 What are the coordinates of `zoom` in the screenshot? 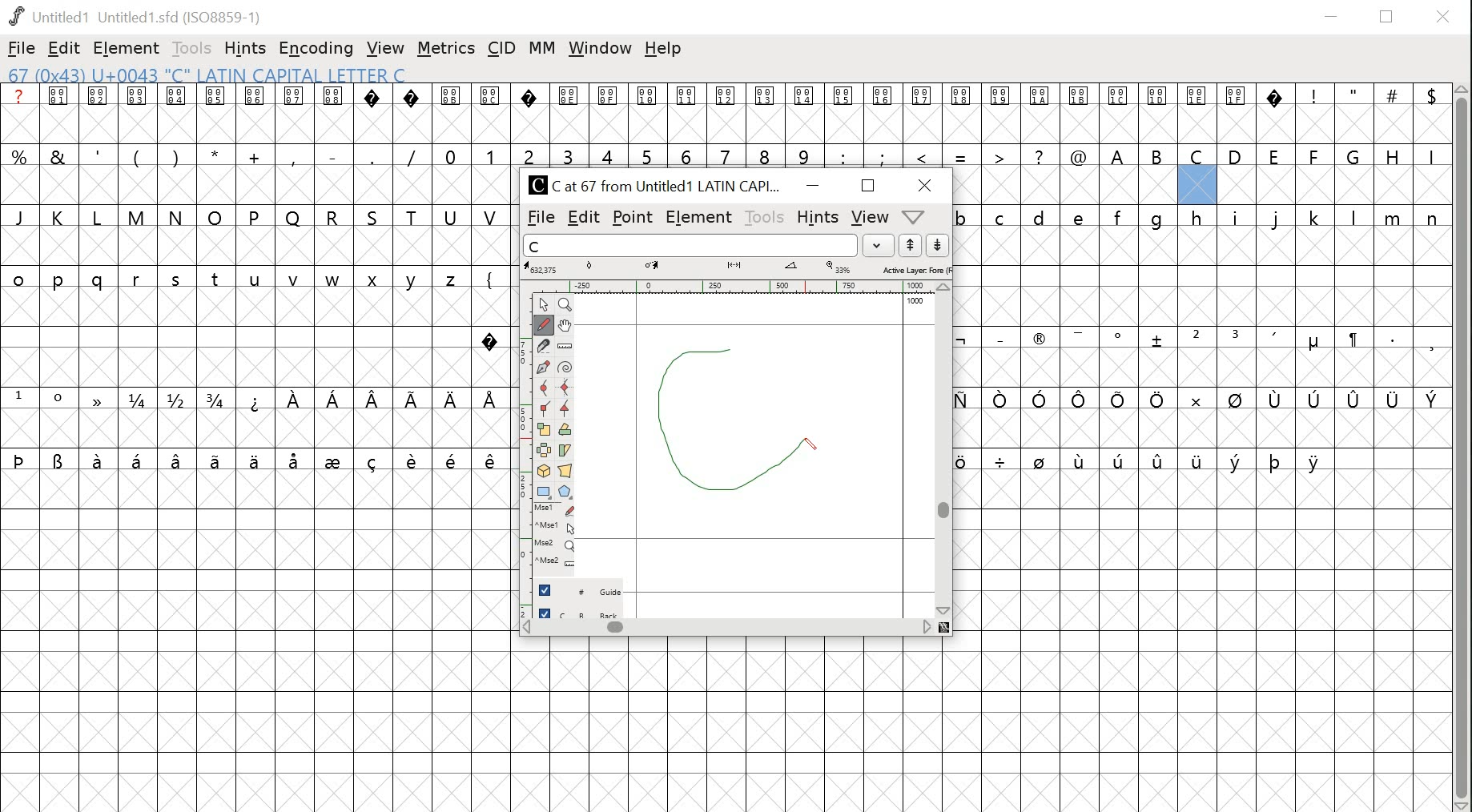 It's located at (568, 304).